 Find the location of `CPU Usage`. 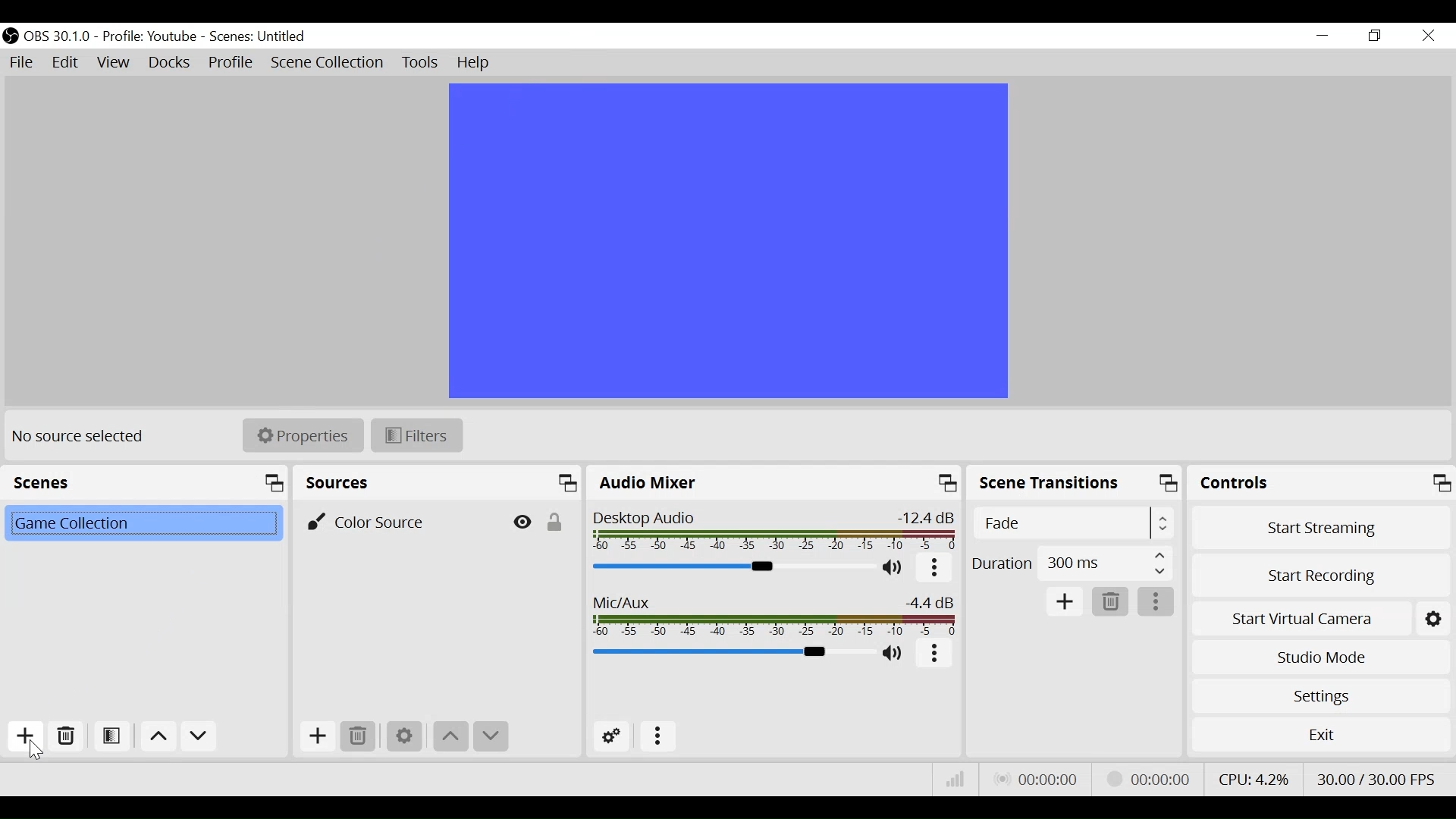

CPU Usage is located at coordinates (1253, 777).